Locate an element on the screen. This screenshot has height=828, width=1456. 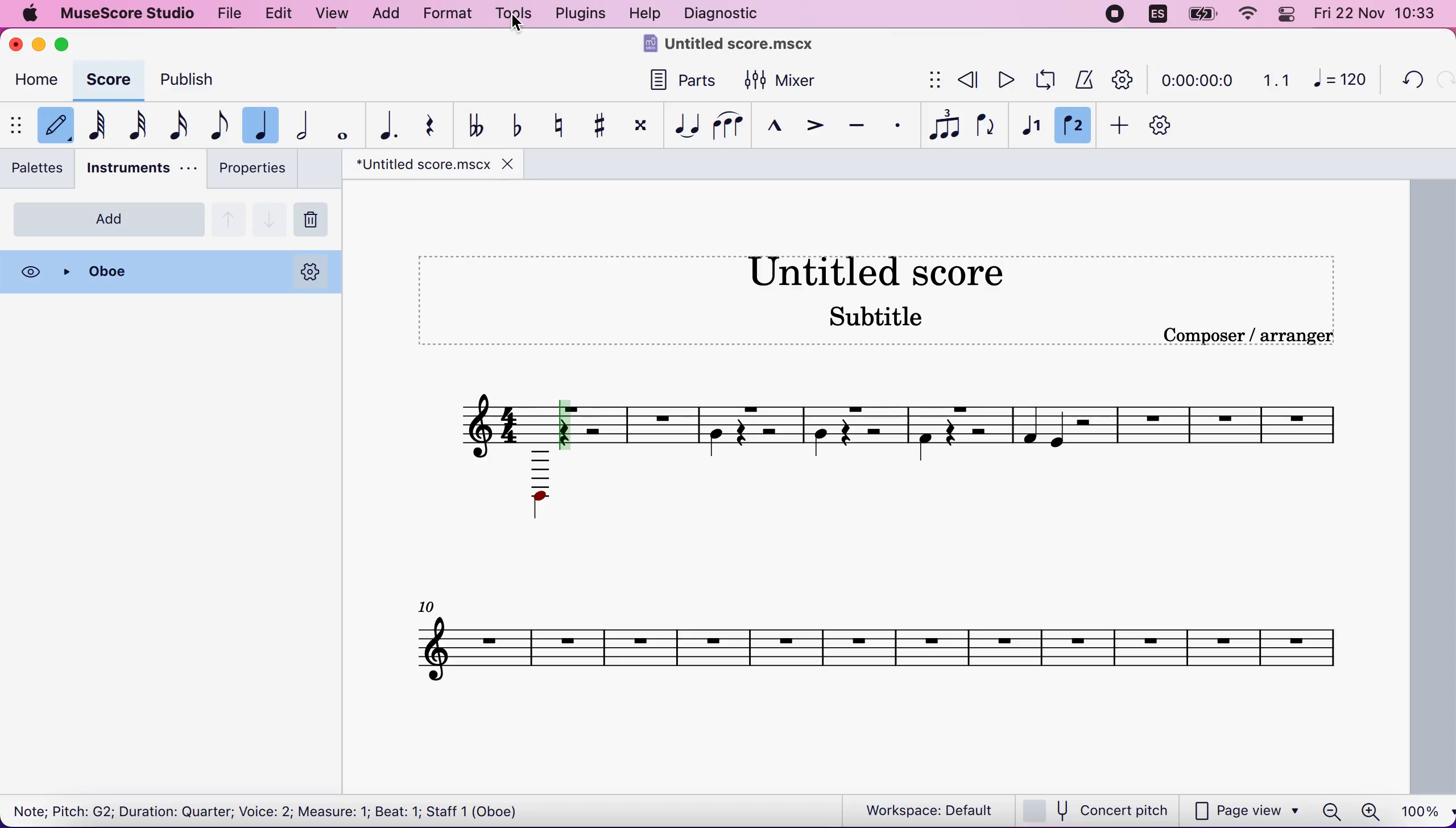
untitled score is located at coordinates (886, 491).